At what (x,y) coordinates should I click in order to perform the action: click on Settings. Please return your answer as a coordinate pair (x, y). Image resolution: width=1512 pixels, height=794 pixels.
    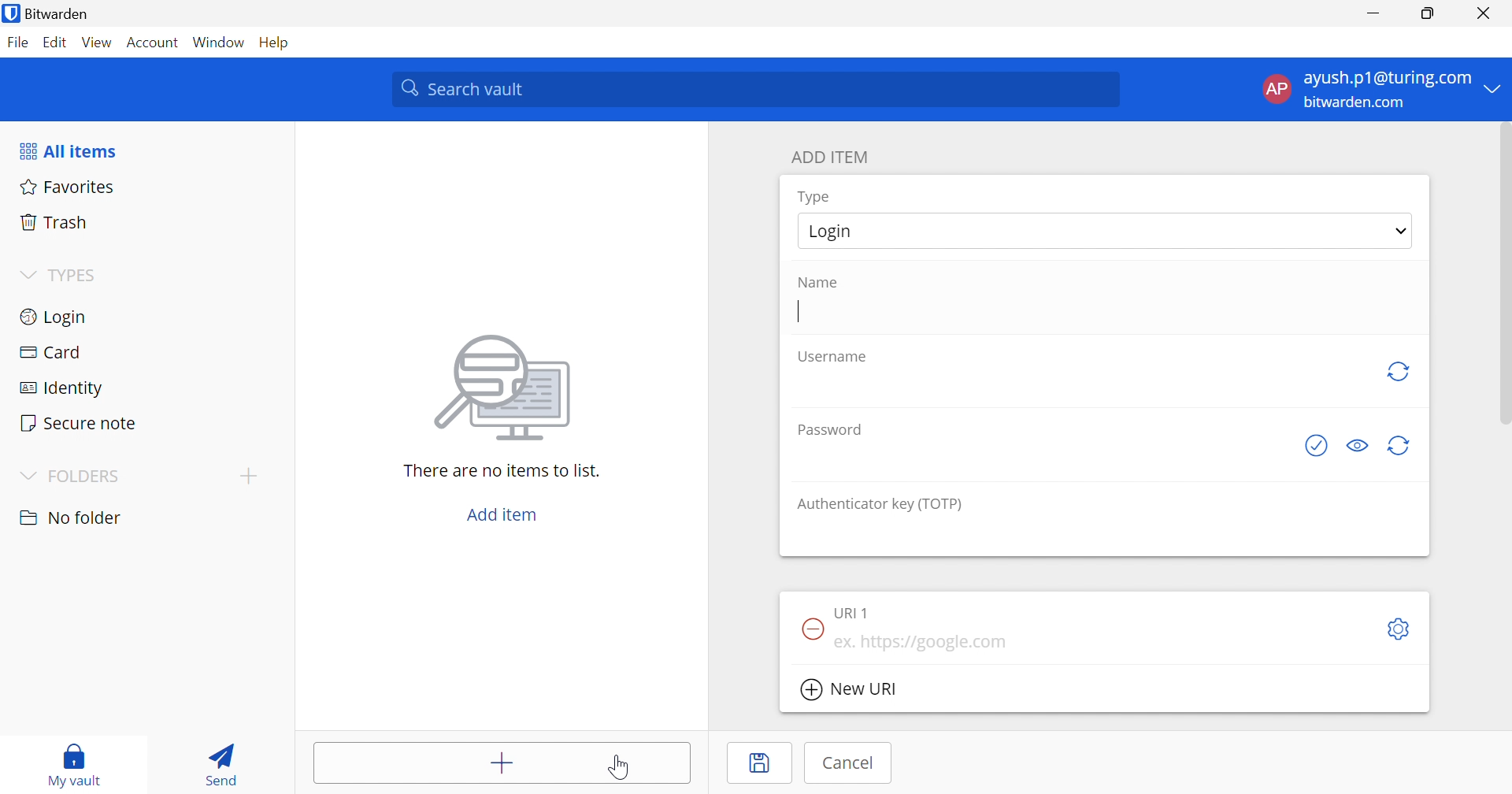
    Looking at the image, I should click on (1402, 630).